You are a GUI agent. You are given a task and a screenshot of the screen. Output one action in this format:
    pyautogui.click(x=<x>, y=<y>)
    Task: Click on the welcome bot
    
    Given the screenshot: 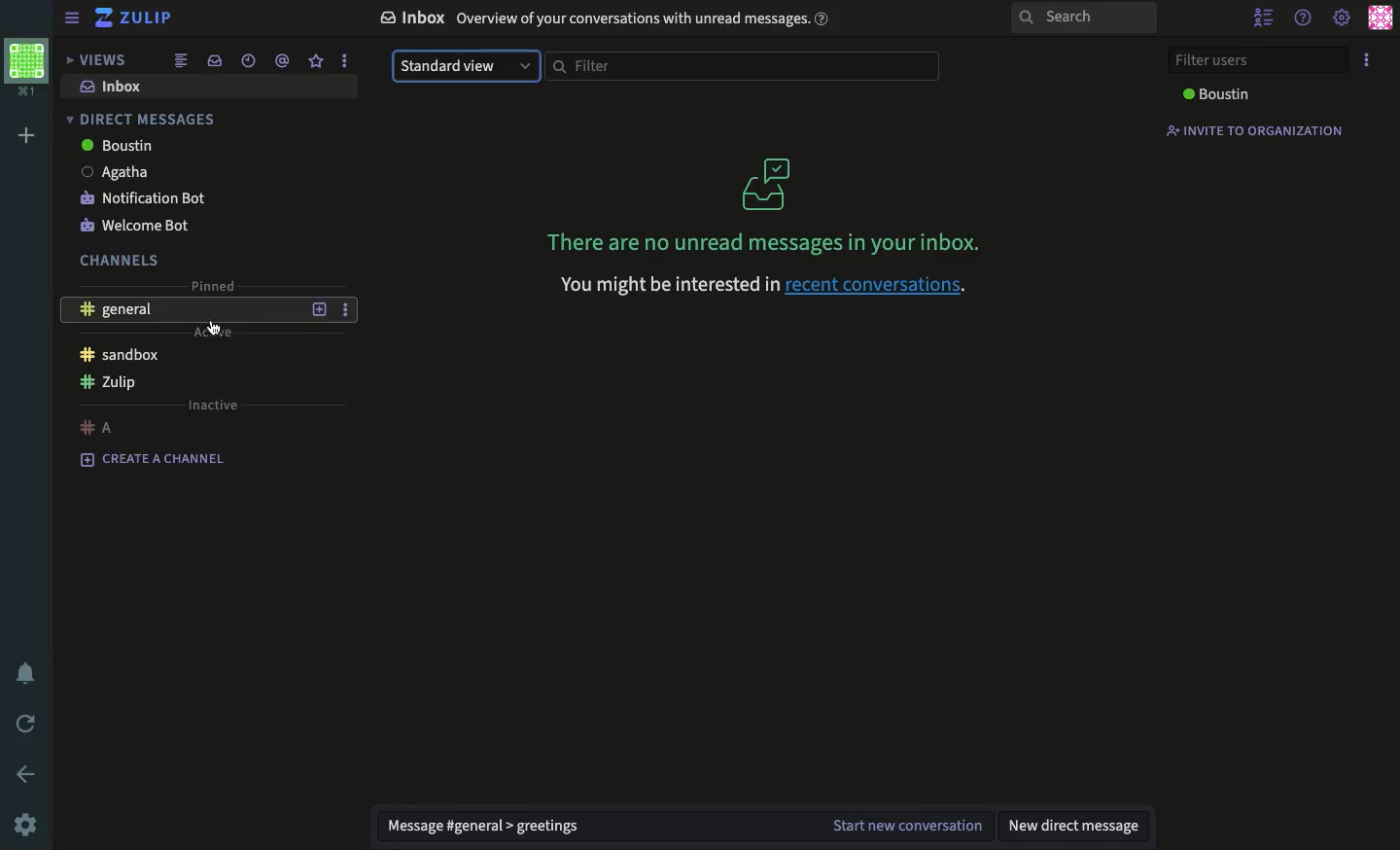 What is the action you would take?
    pyautogui.click(x=138, y=226)
    